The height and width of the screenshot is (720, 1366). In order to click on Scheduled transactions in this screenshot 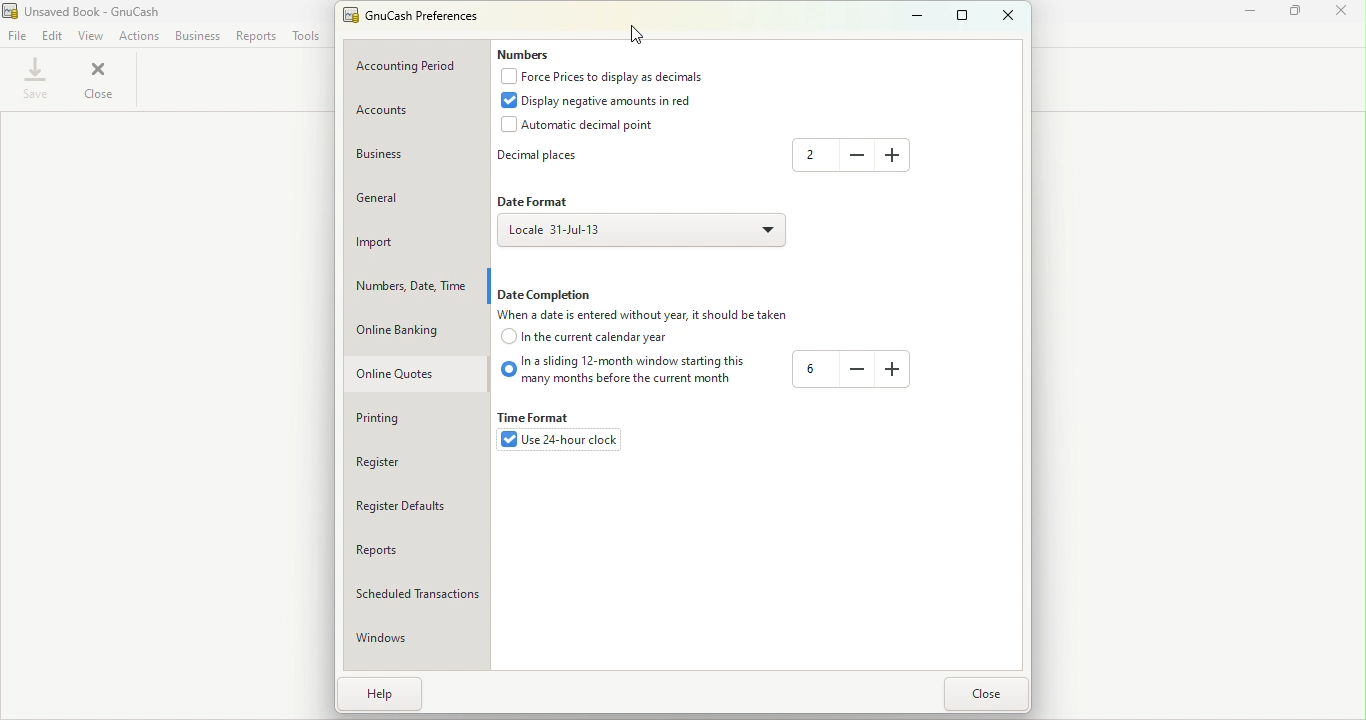, I will do `click(420, 592)`.